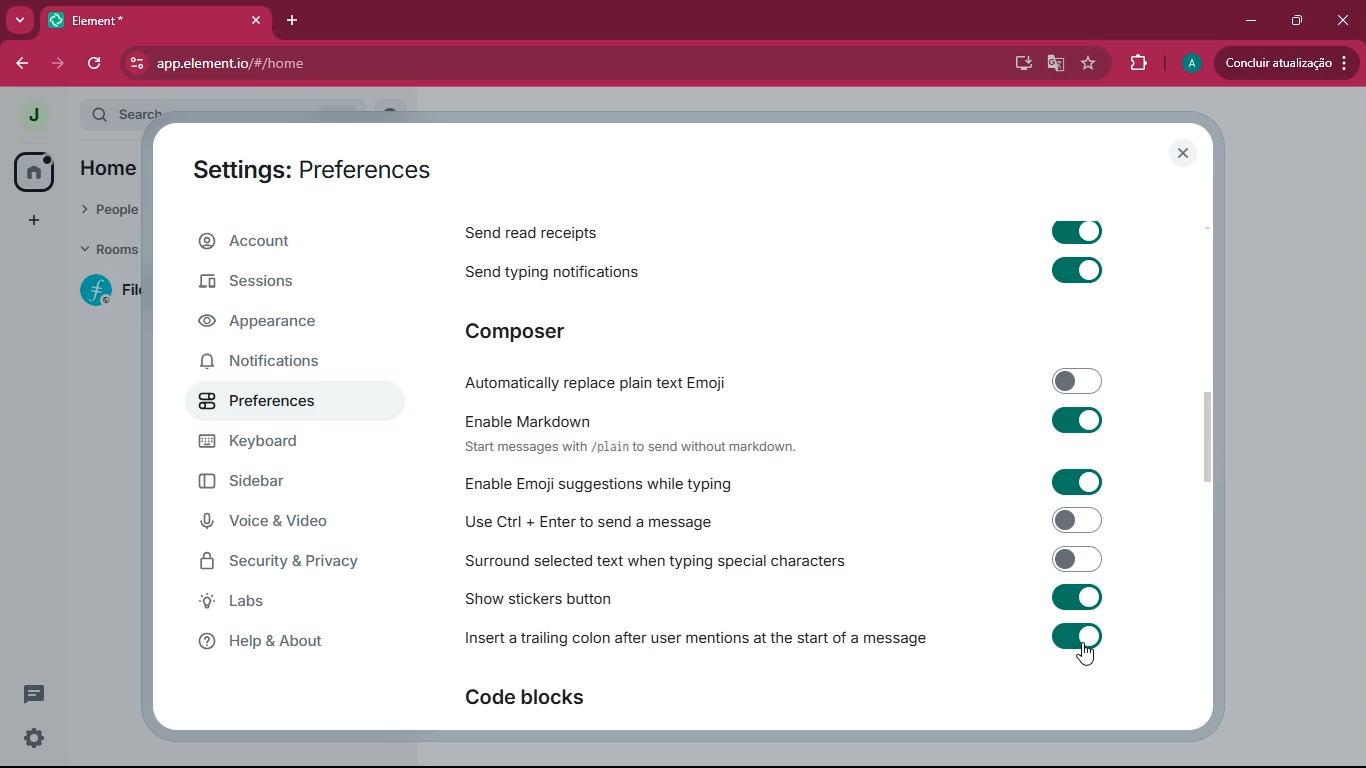  Describe the element at coordinates (1086, 64) in the screenshot. I see `favourite` at that location.